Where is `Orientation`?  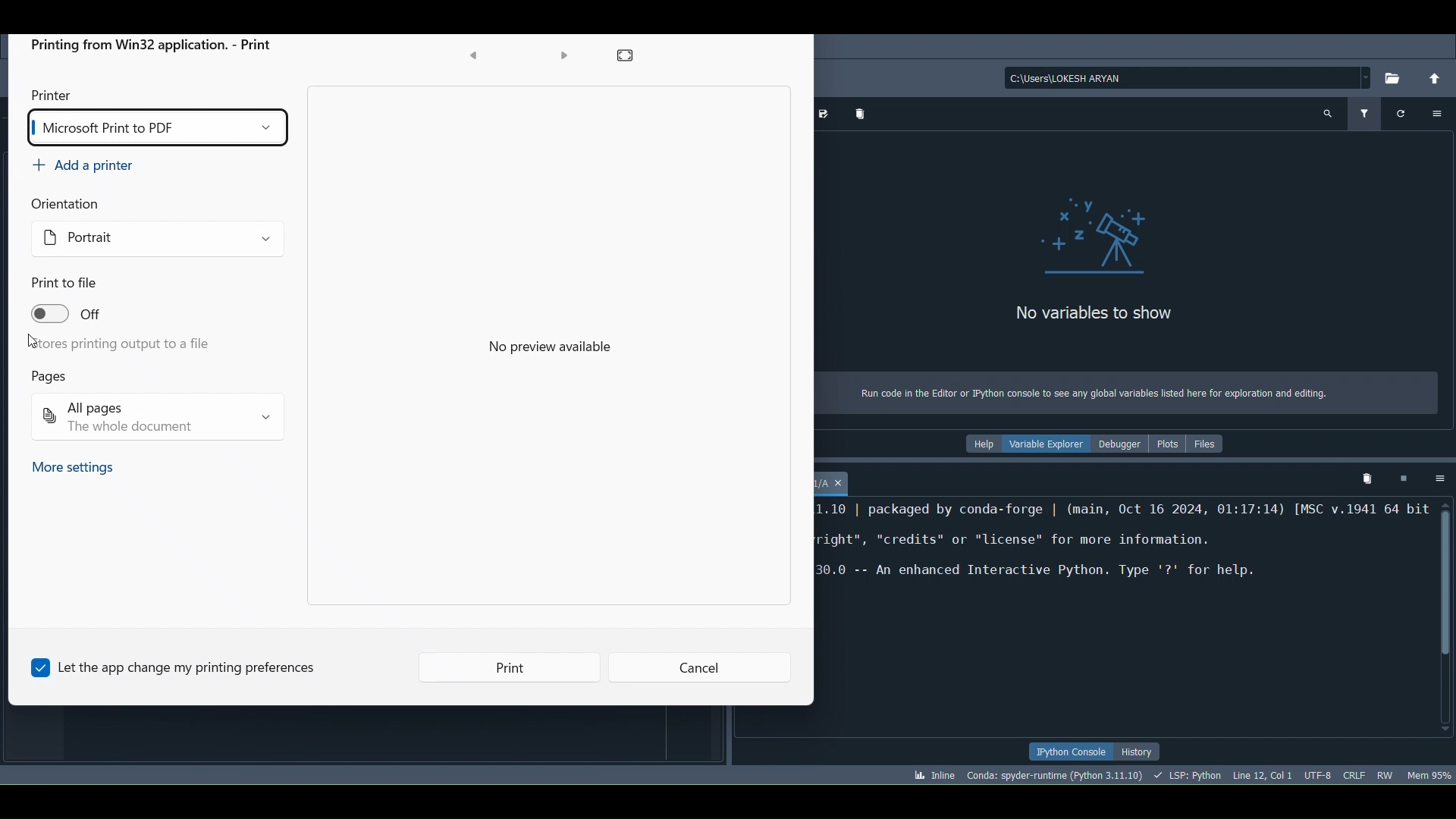
Orientation is located at coordinates (77, 204).